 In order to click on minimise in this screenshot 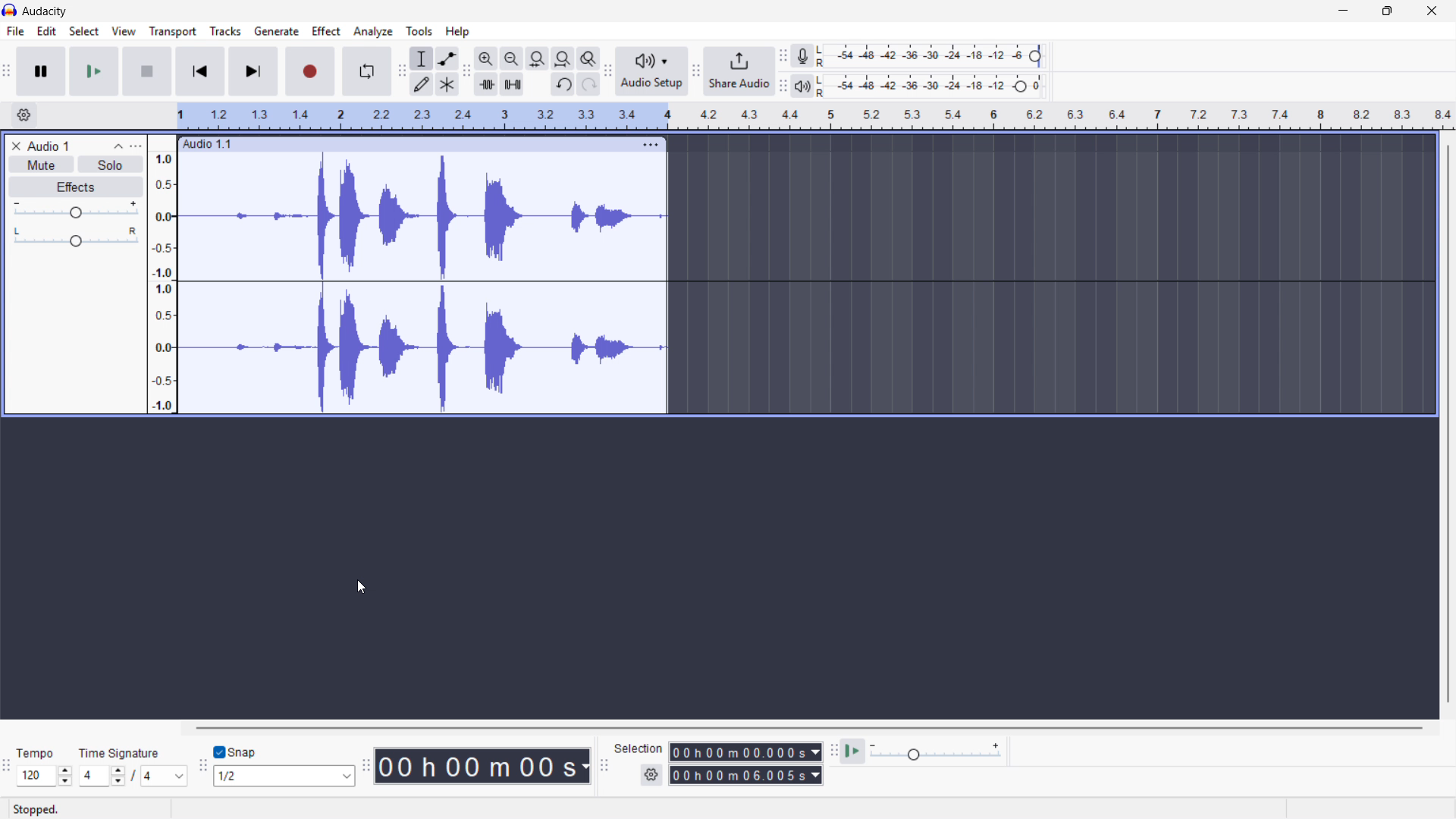, I will do `click(1341, 11)`.